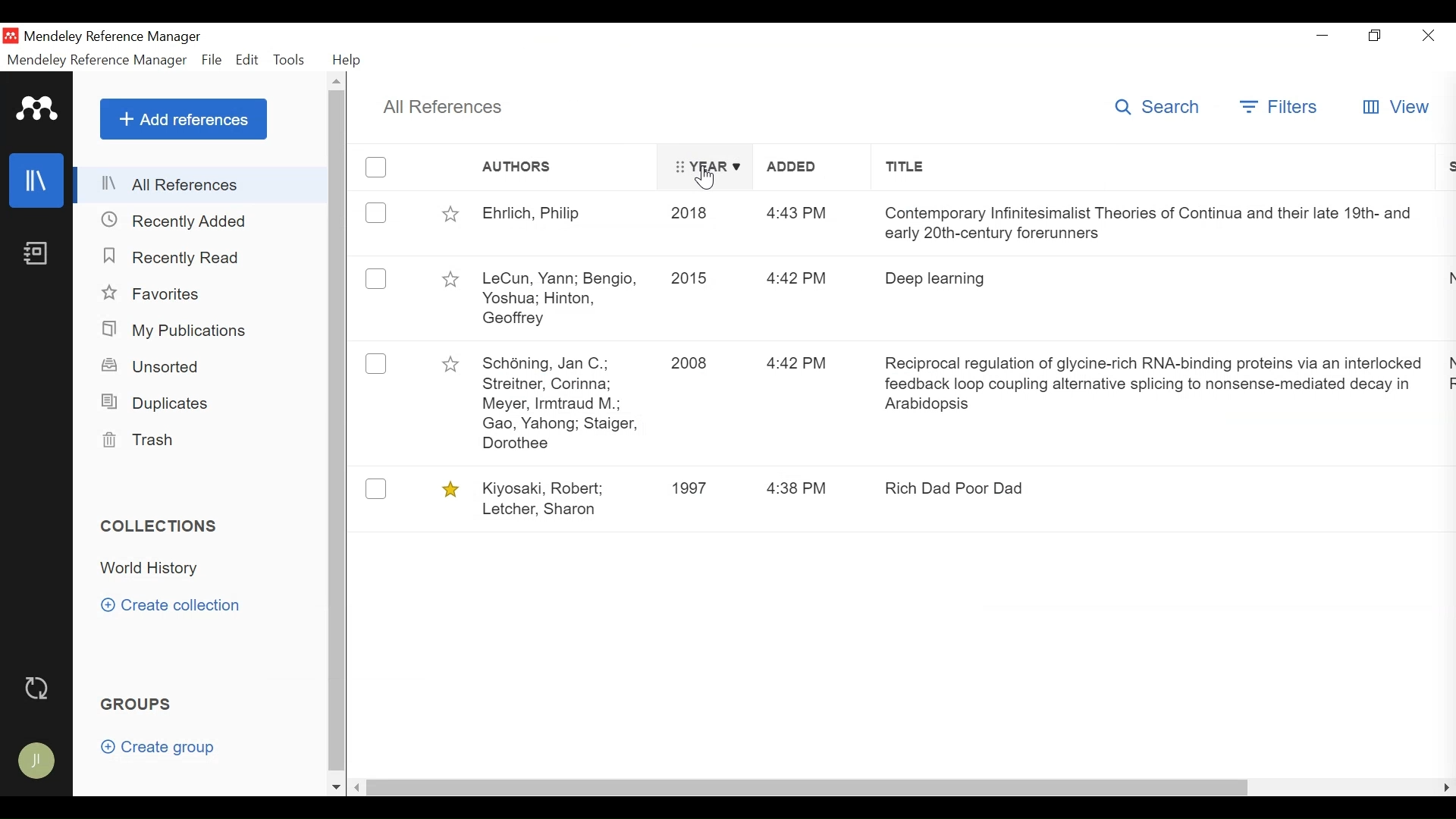 This screenshot has height=819, width=1456. Describe the element at coordinates (137, 703) in the screenshot. I see `Group` at that location.